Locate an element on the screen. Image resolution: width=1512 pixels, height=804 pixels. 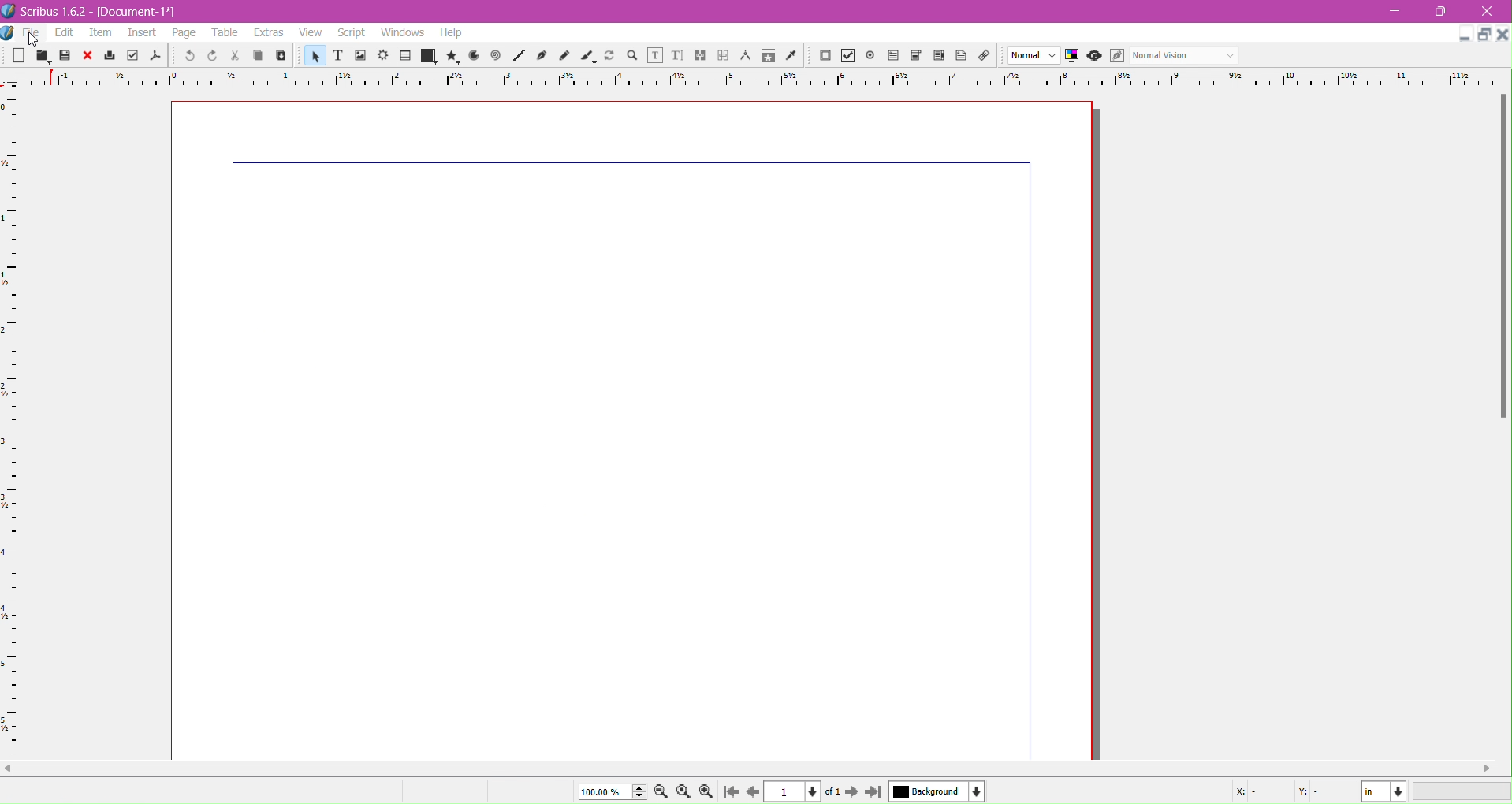
spiral is located at coordinates (496, 56).